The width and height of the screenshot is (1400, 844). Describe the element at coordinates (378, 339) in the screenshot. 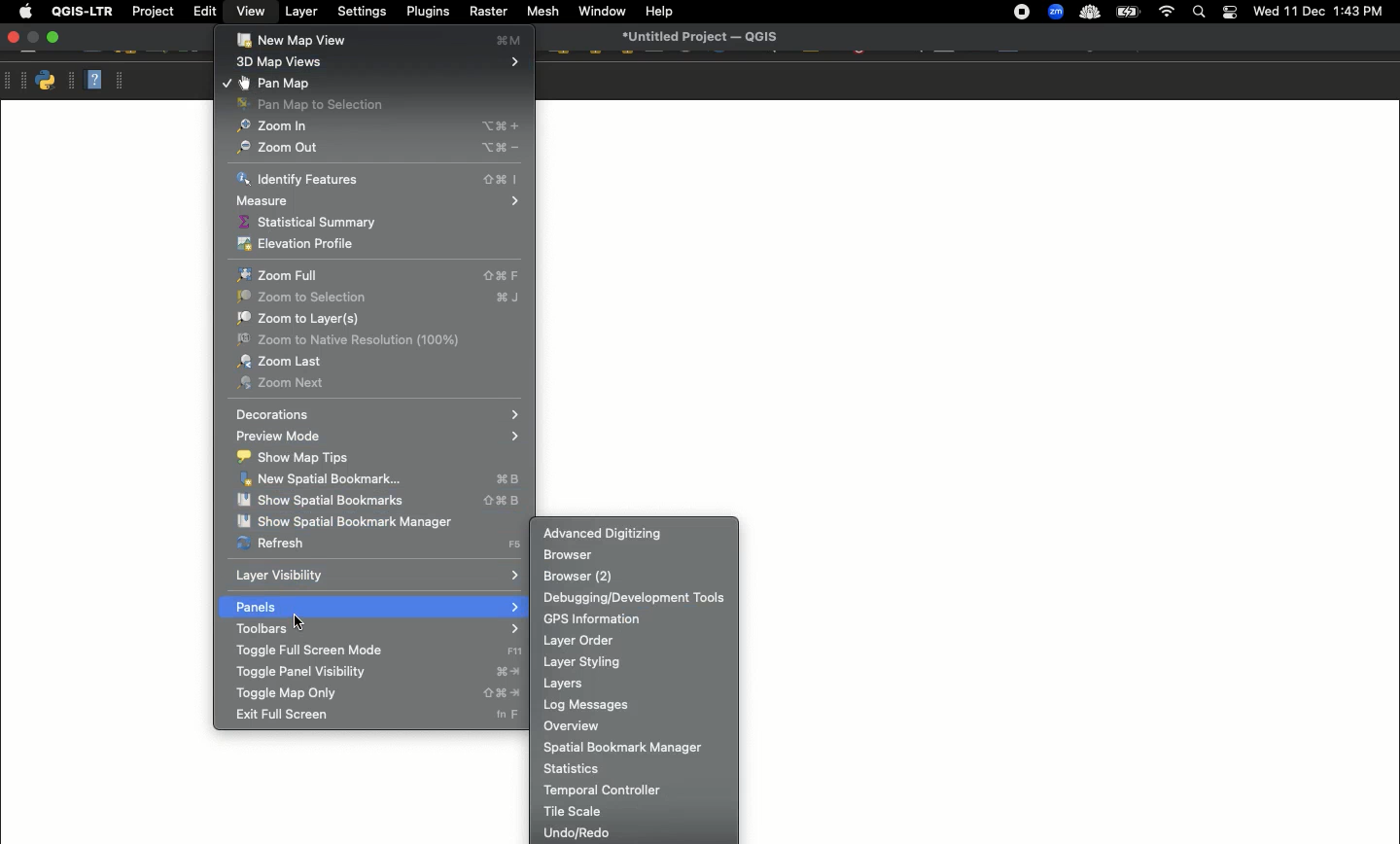

I see `Zoom to native resolution` at that location.